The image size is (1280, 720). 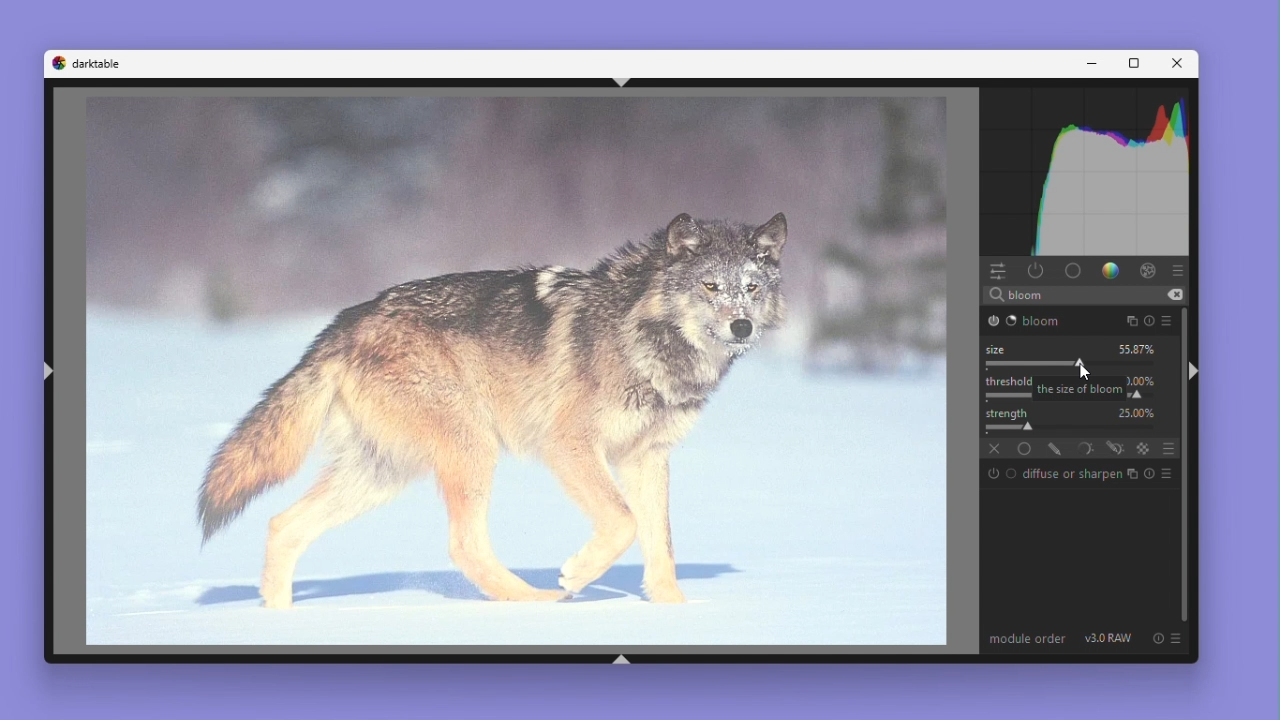 What do you see at coordinates (1147, 269) in the screenshot?
I see `Effect` at bounding box center [1147, 269].